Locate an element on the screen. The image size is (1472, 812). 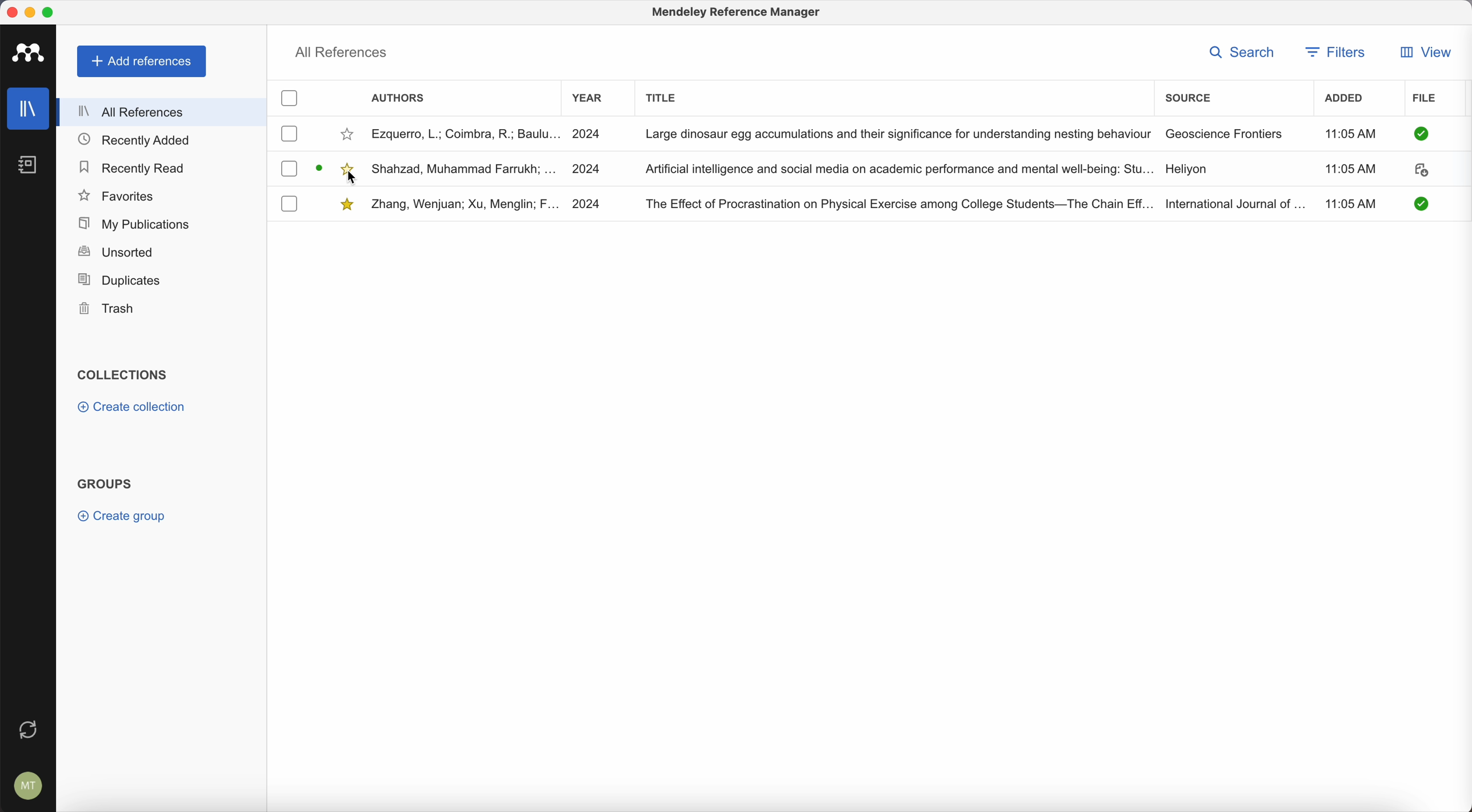
library is located at coordinates (30, 110).